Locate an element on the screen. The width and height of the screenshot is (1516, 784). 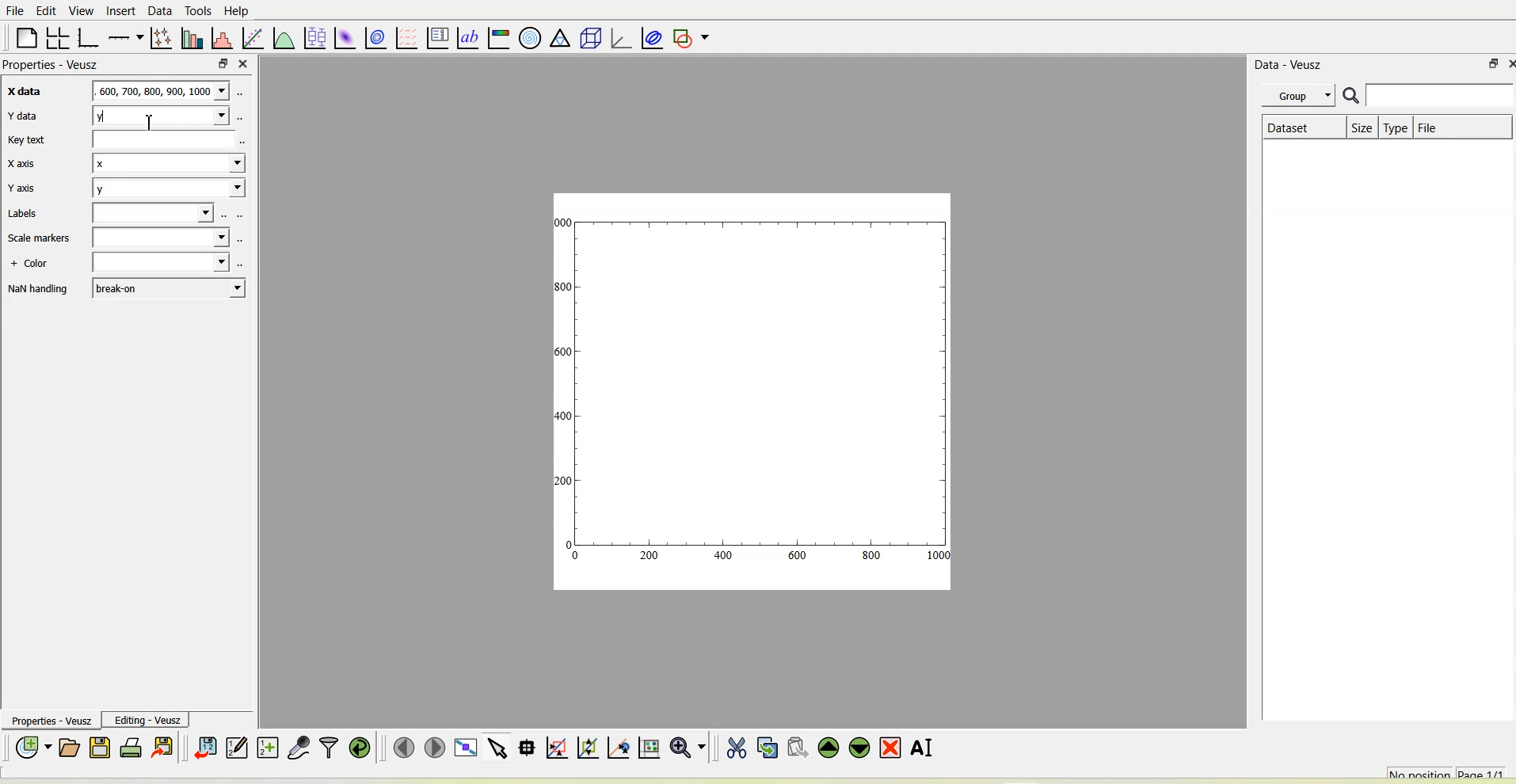
+ Color is located at coordinates (29, 264).